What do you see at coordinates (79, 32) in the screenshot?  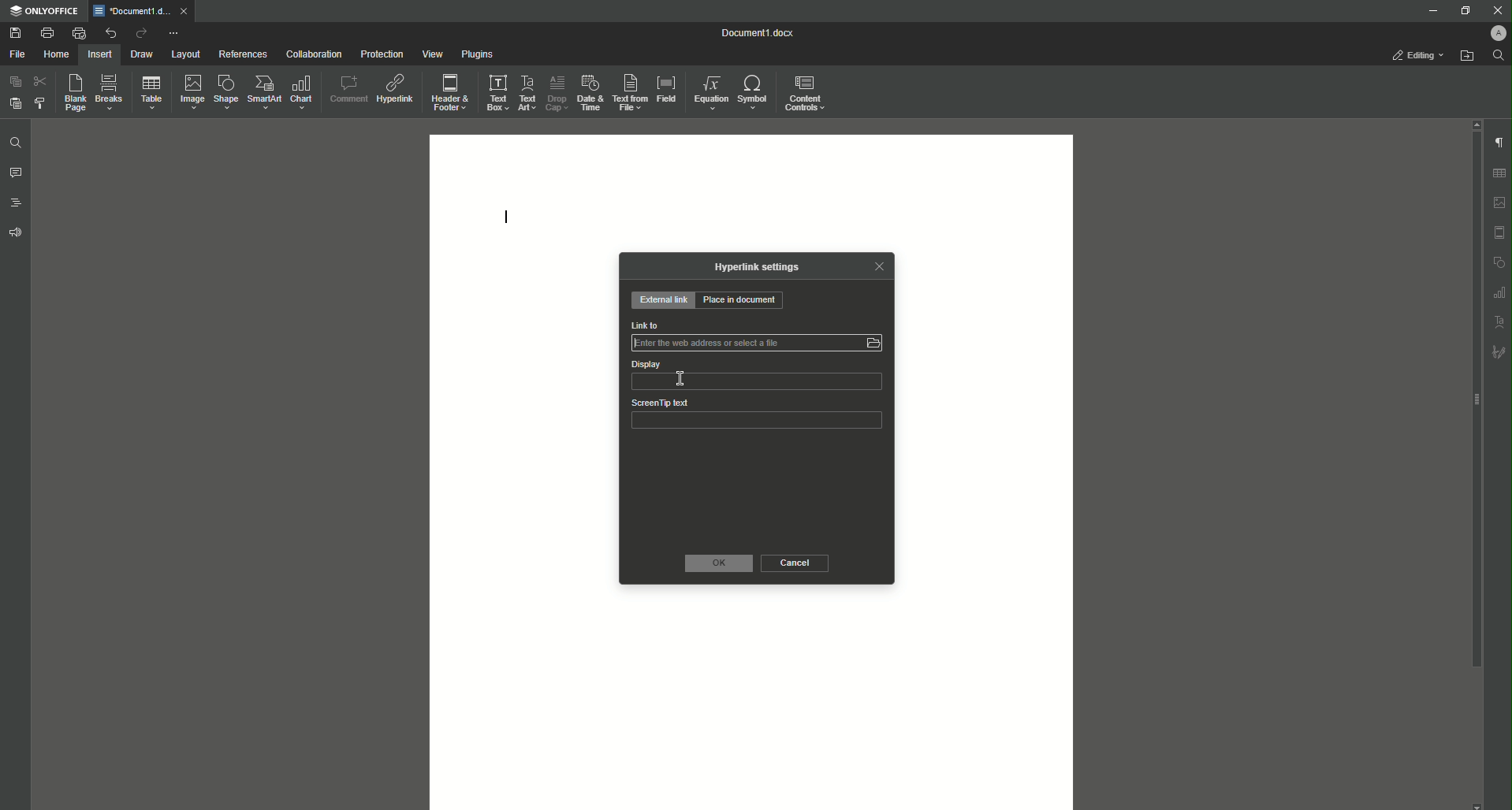 I see `Quick Print` at bounding box center [79, 32].